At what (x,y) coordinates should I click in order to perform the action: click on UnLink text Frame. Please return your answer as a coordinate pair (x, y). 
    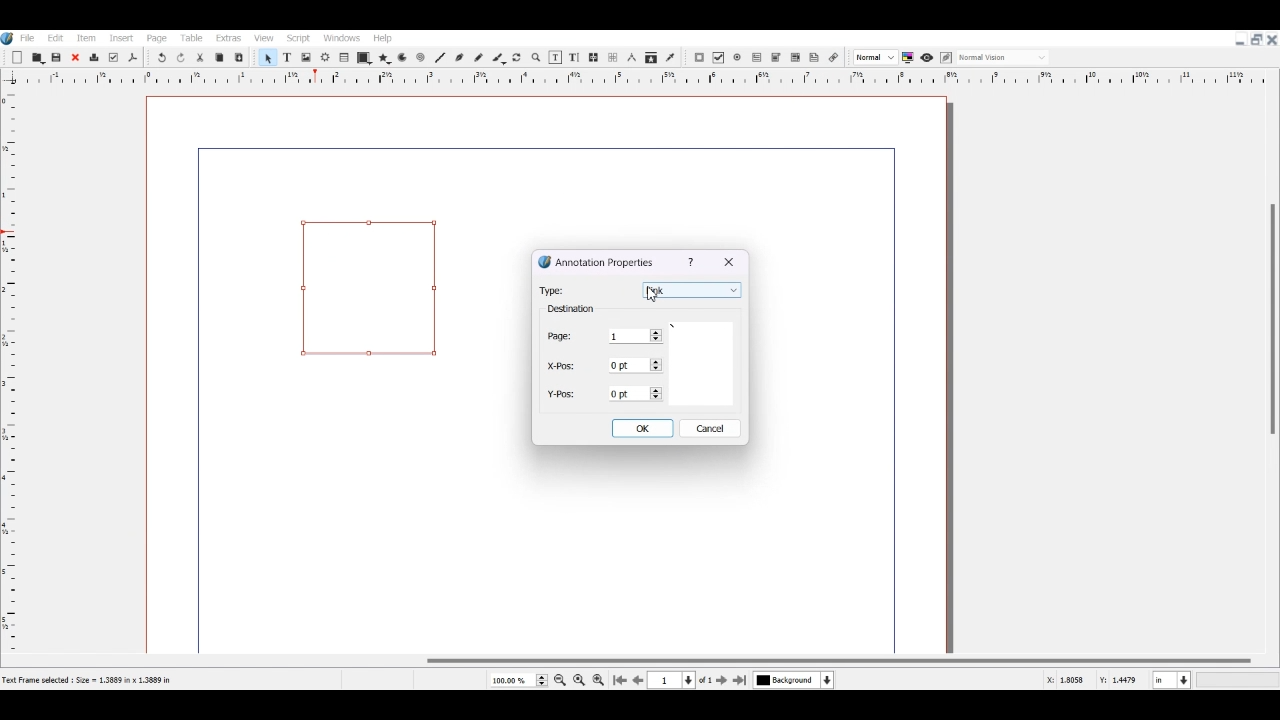
    Looking at the image, I should click on (613, 58).